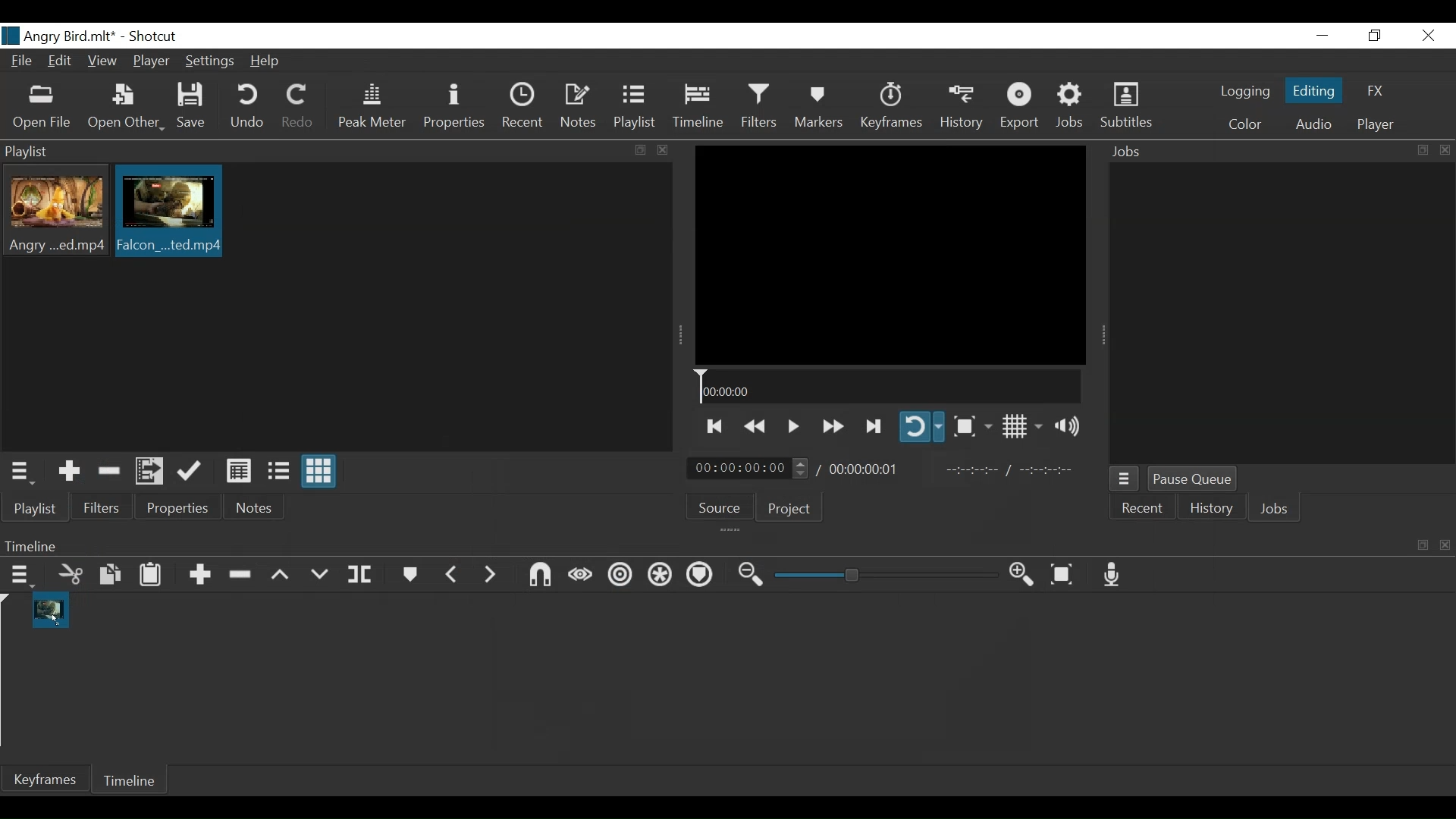 Image resolution: width=1456 pixels, height=819 pixels. I want to click on copy, so click(1421, 150).